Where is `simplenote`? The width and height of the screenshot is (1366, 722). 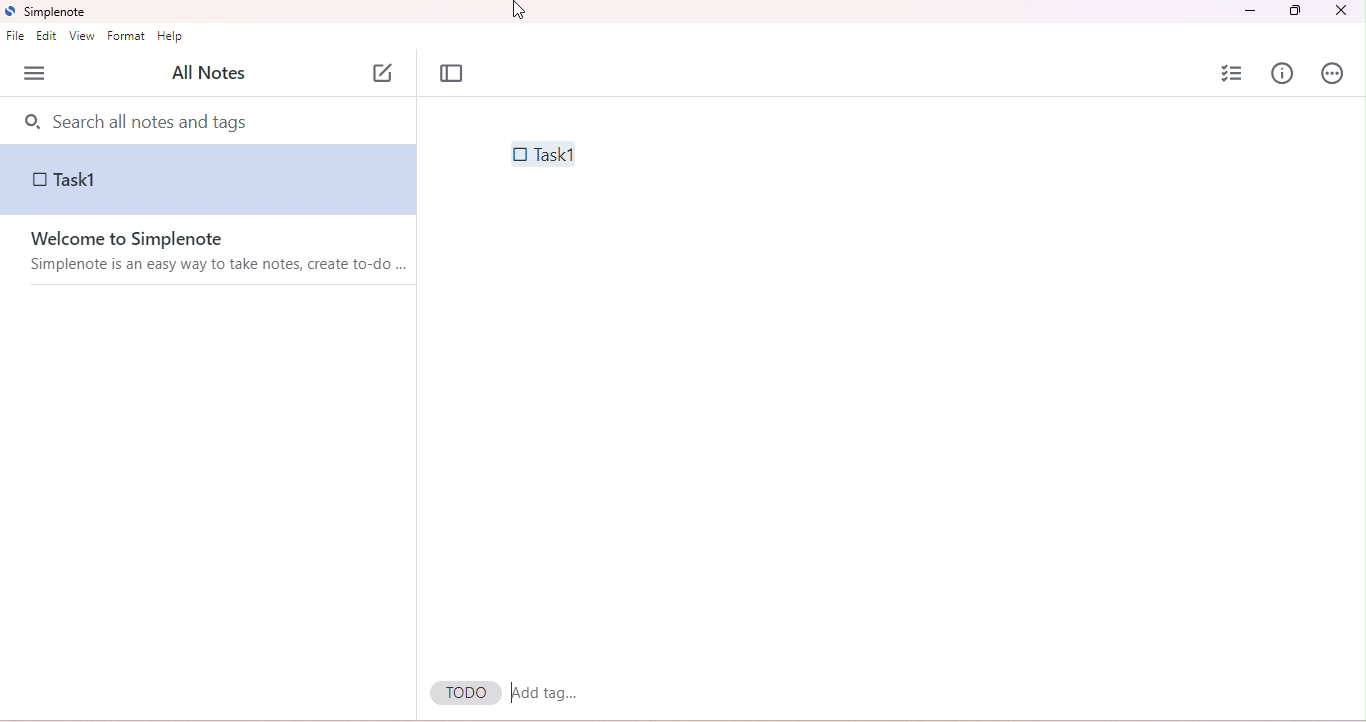
simplenote is located at coordinates (54, 13).